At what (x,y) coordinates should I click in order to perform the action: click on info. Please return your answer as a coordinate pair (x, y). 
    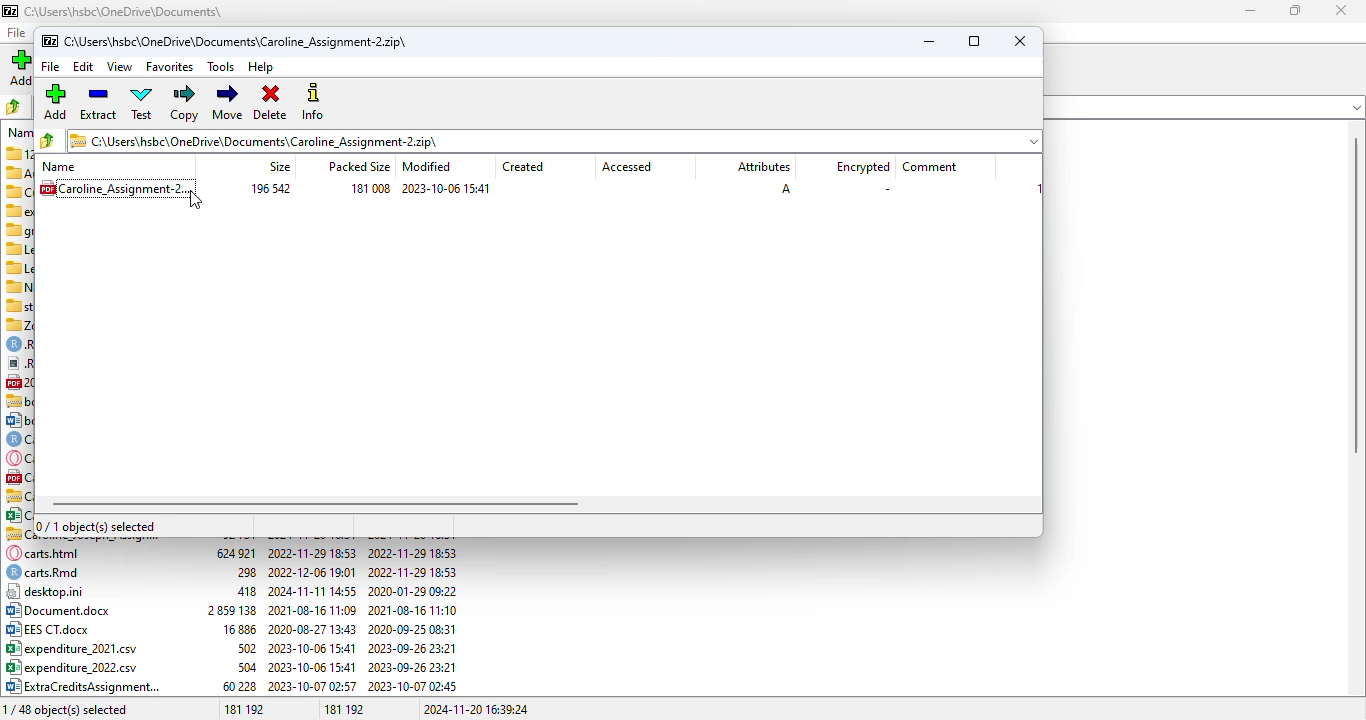
    Looking at the image, I should click on (315, 101).